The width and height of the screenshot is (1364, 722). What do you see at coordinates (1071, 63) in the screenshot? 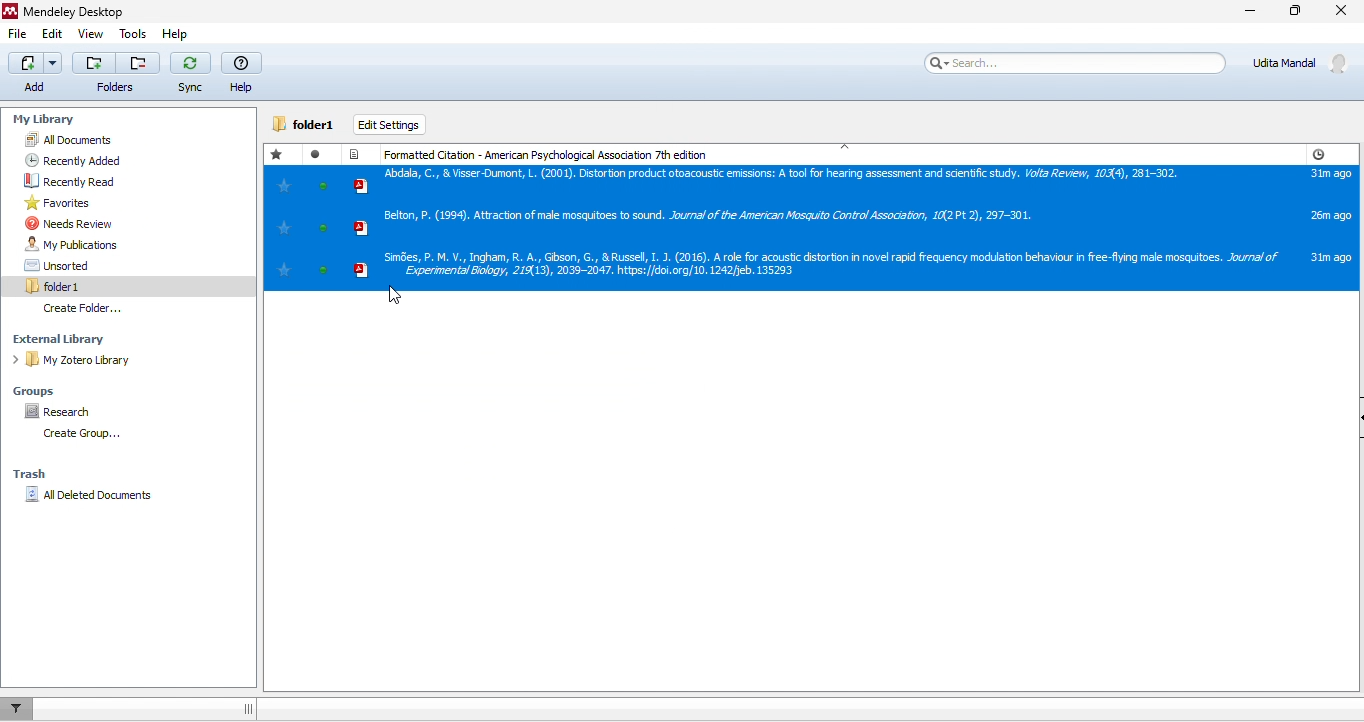
I see `search` at bounding box center [1071, 63].